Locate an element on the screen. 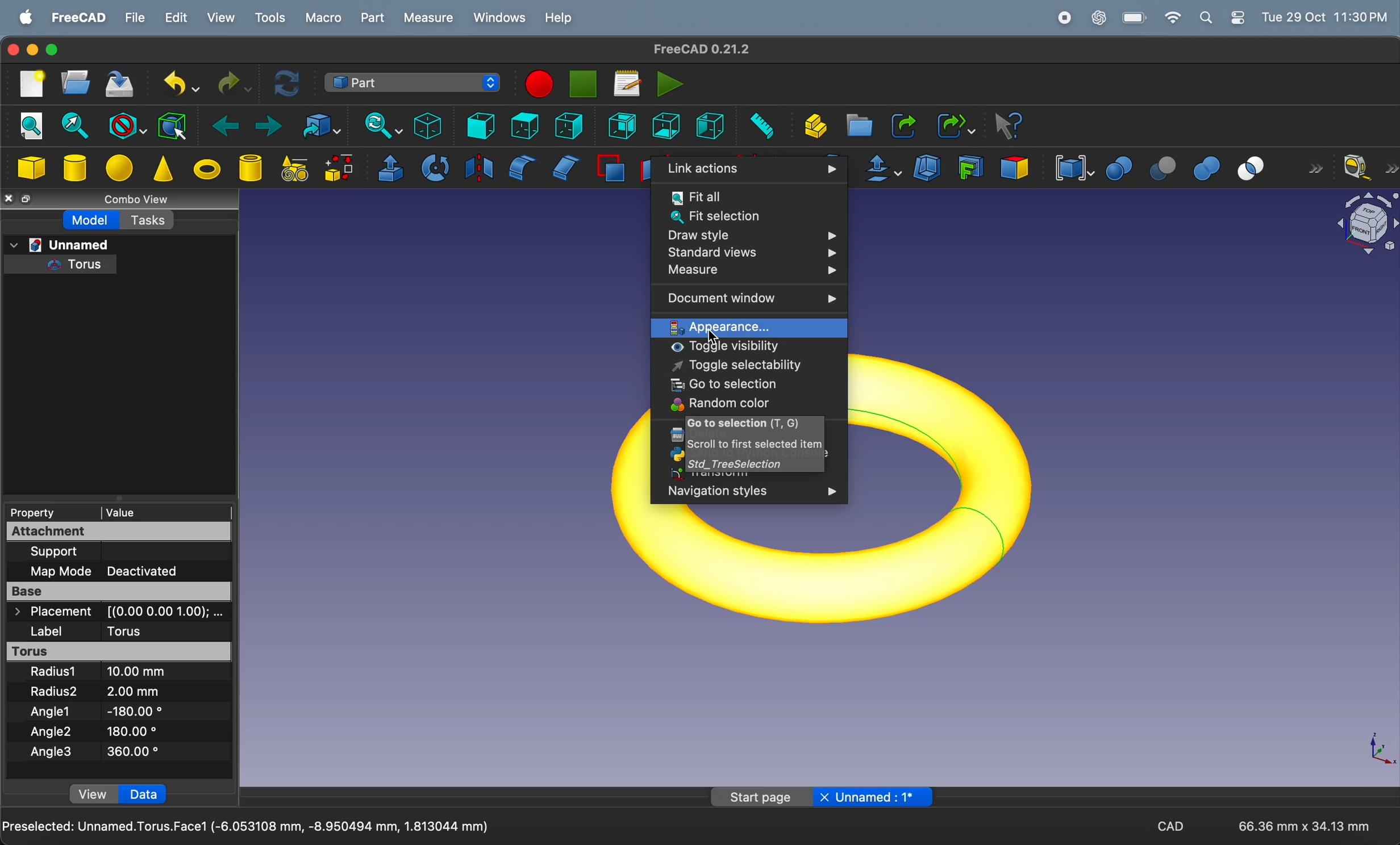 This screenshot has width=1400, height=845. resize is located at coordinates (27, 198).